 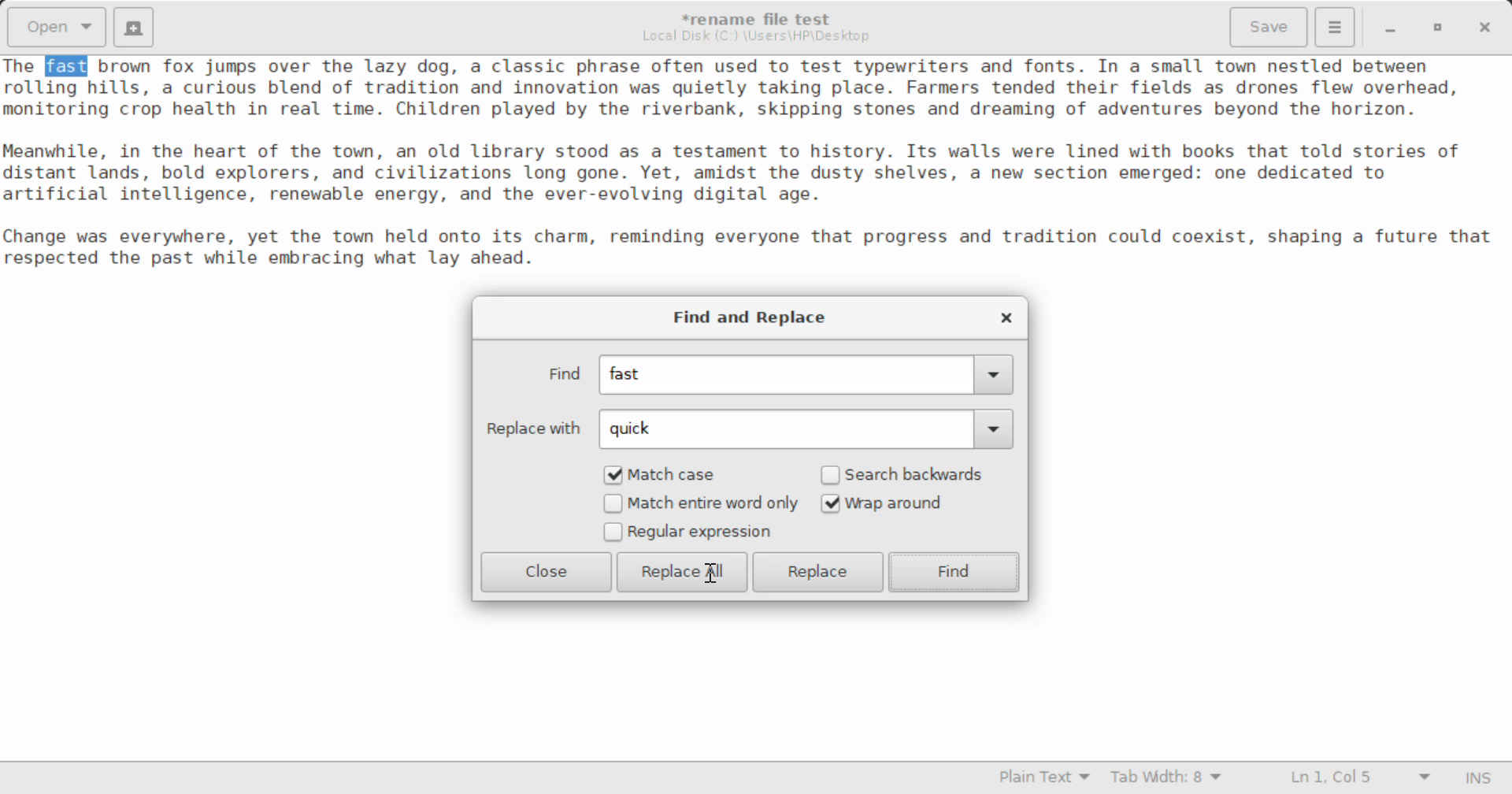 I want to click on Restore Down, so click(x=1393, y=27).